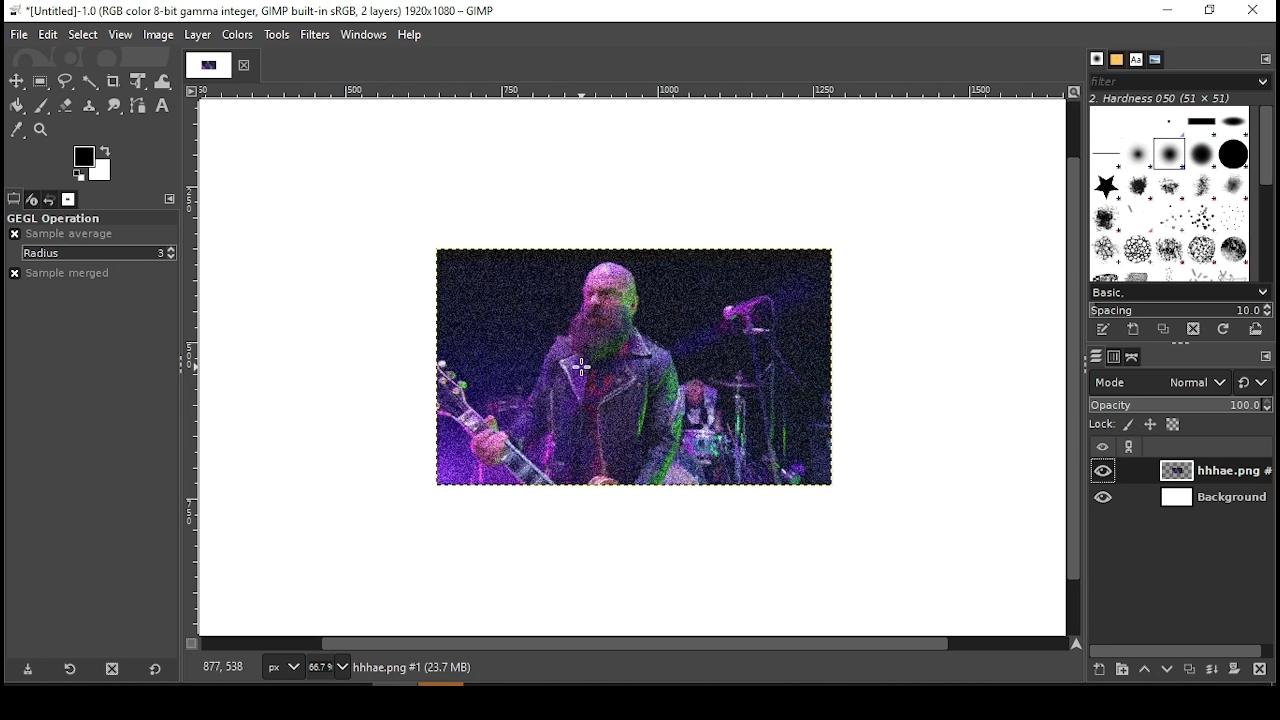 This screenshot has height=720, width=1280. Describe the element at coordinates (1127, 448) in the screenshot. I see `link` at that location.